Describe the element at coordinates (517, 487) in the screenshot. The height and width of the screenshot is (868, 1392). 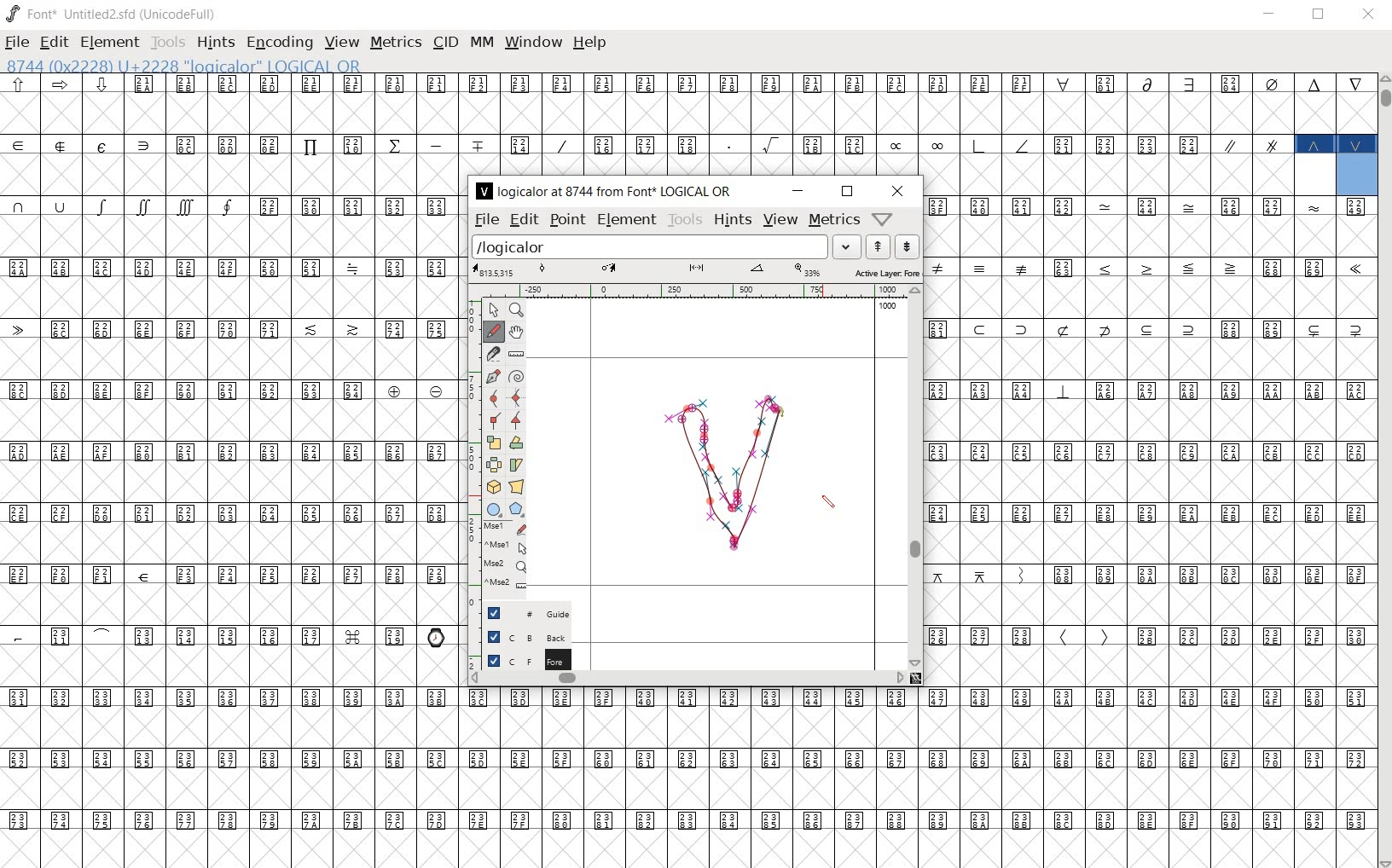
I see `perform a perspective transformation on the selection` at that location.